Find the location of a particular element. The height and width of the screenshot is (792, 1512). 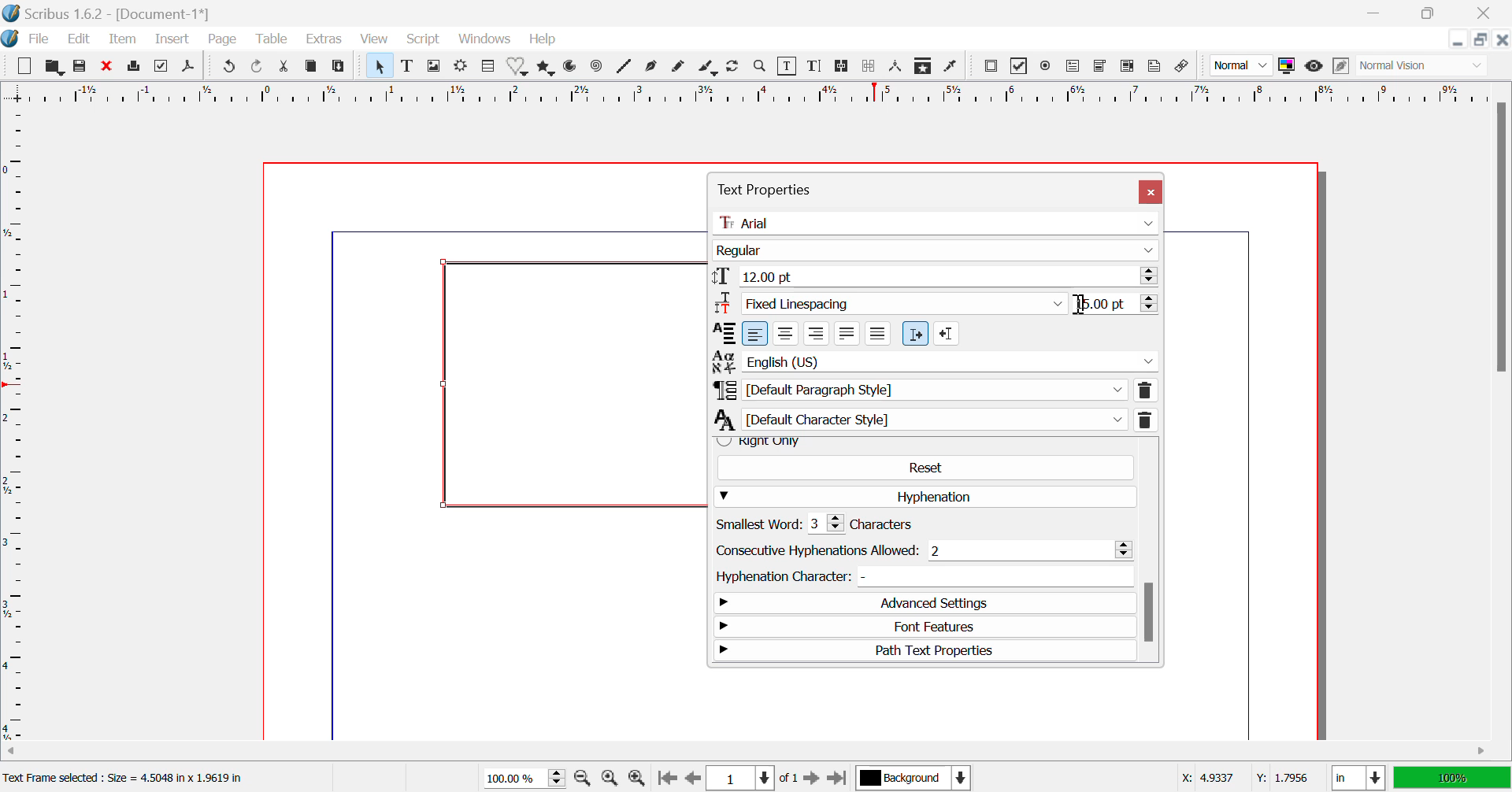

Horizontal Page Margins is located at coordinates (19, 425).